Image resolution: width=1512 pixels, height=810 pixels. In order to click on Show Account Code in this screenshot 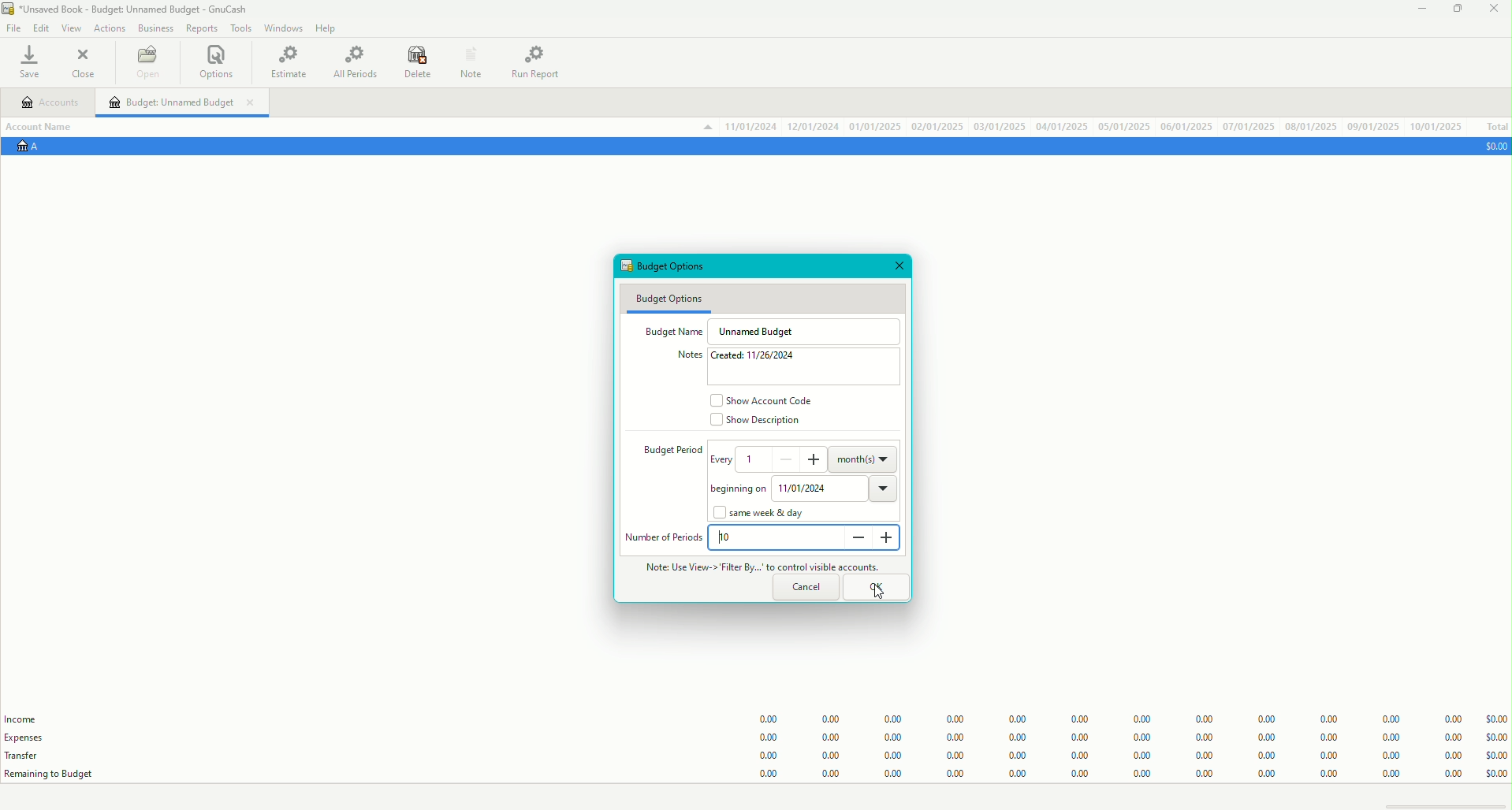, I will do `click(765, 399)`.